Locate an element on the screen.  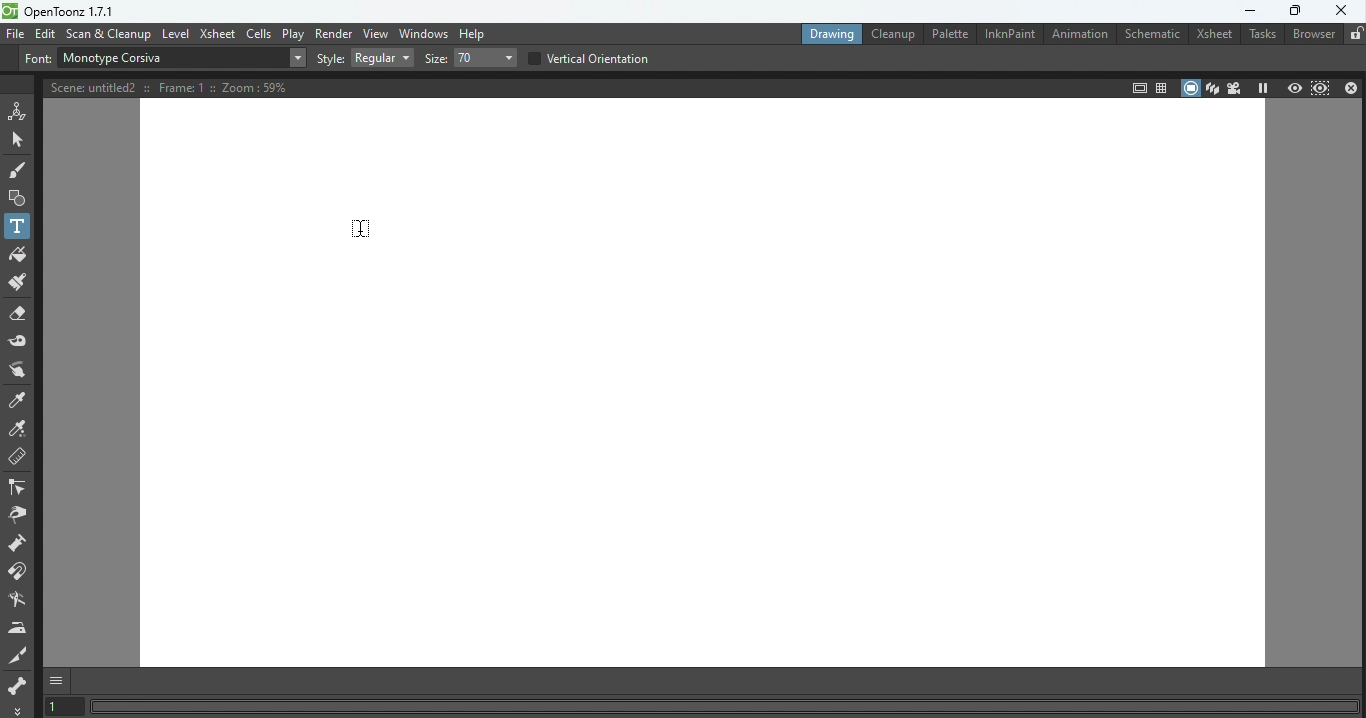
Close is located at coordinates (1353, 86).